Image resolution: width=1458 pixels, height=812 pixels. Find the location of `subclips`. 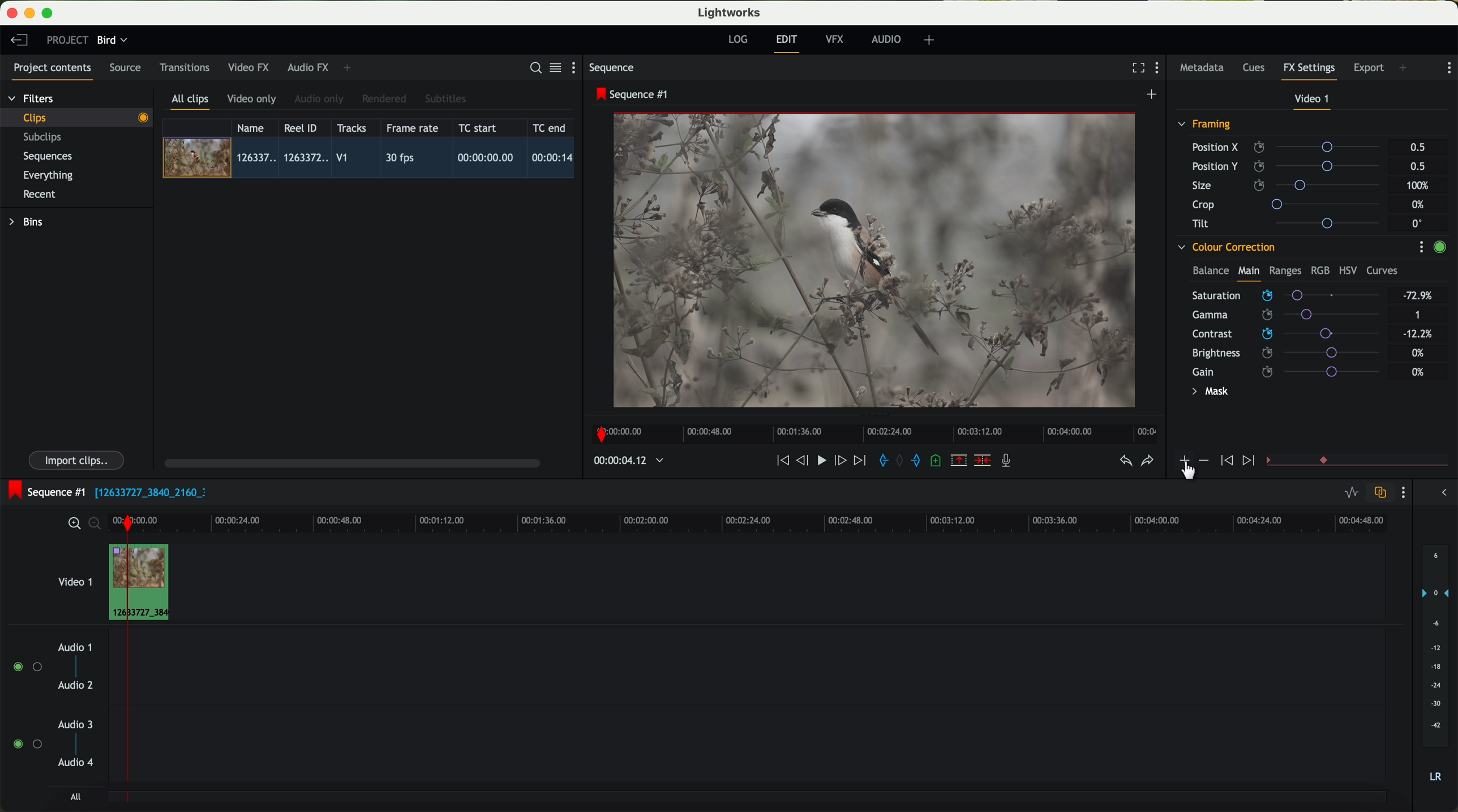

subclips is located at coordinates (45, 138).